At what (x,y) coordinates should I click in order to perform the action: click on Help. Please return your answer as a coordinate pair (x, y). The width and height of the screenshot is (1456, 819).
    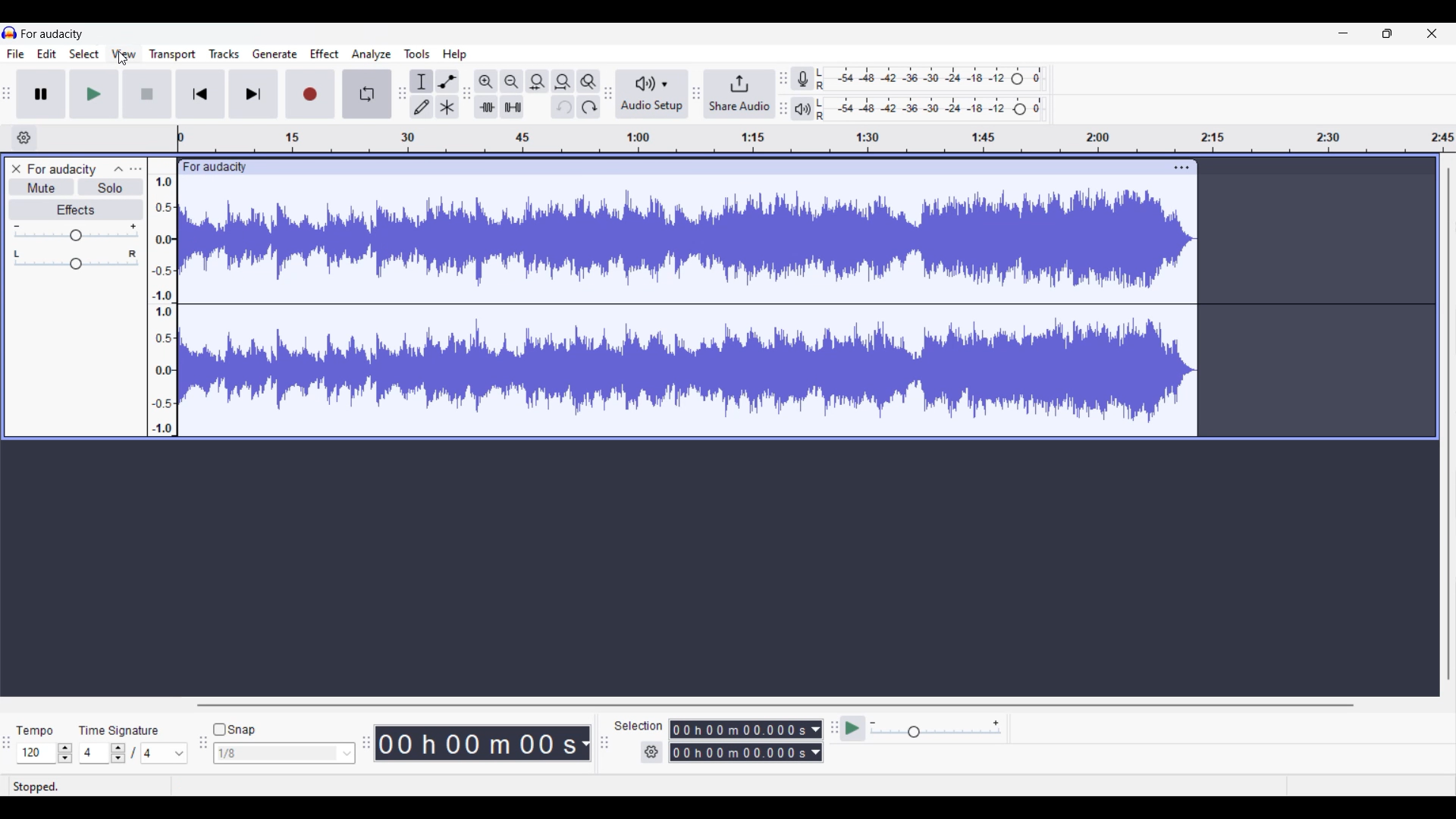
    Looking at the image, I should click on (455, 55).